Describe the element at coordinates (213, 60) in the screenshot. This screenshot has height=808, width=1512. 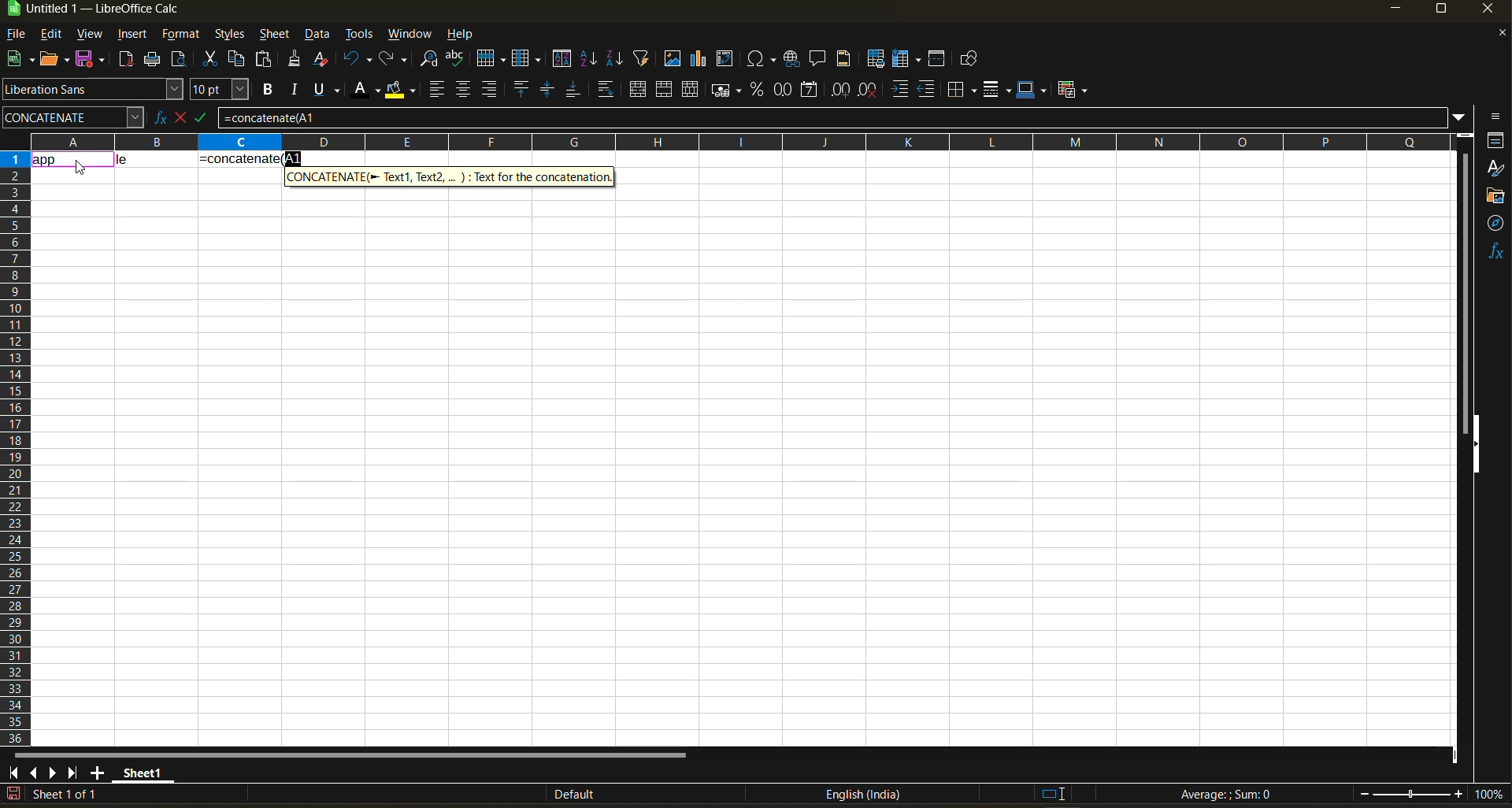
I see `cut` at that location.